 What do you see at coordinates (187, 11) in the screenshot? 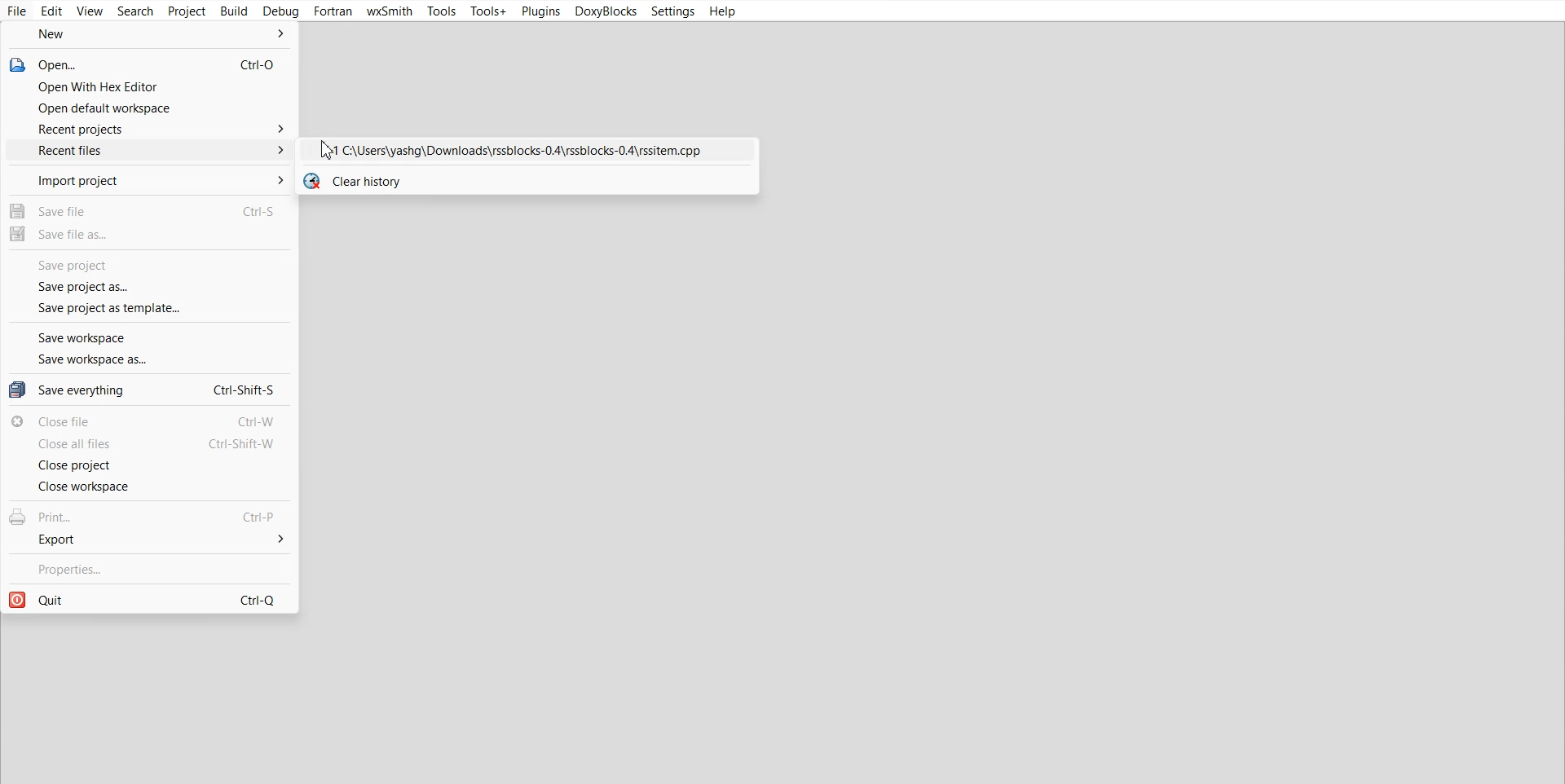
I see `Project` at bounding box center [187, 11].